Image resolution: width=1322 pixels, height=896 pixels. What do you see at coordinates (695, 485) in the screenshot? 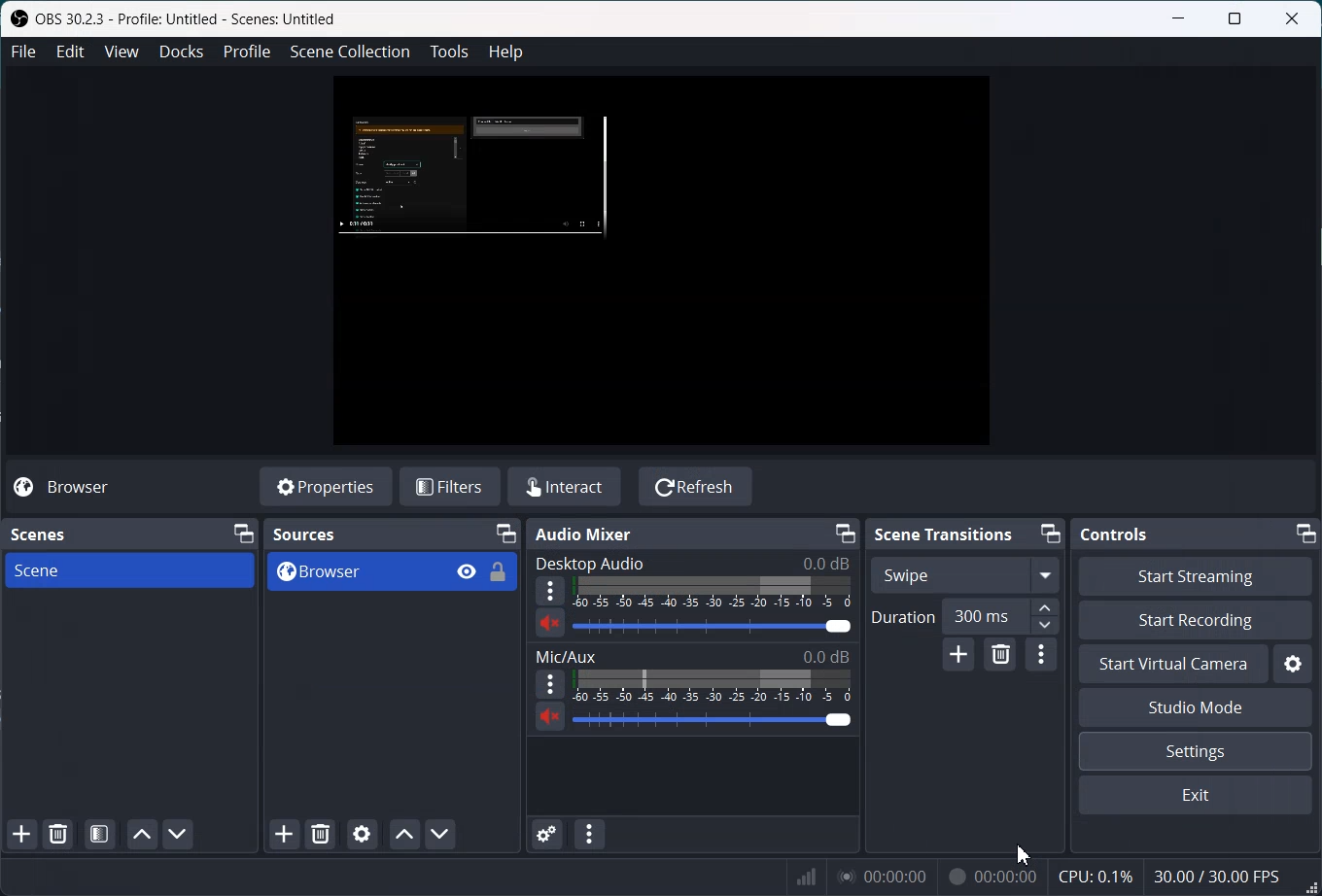
I see `Refresh` at bounding box center [695, 485].